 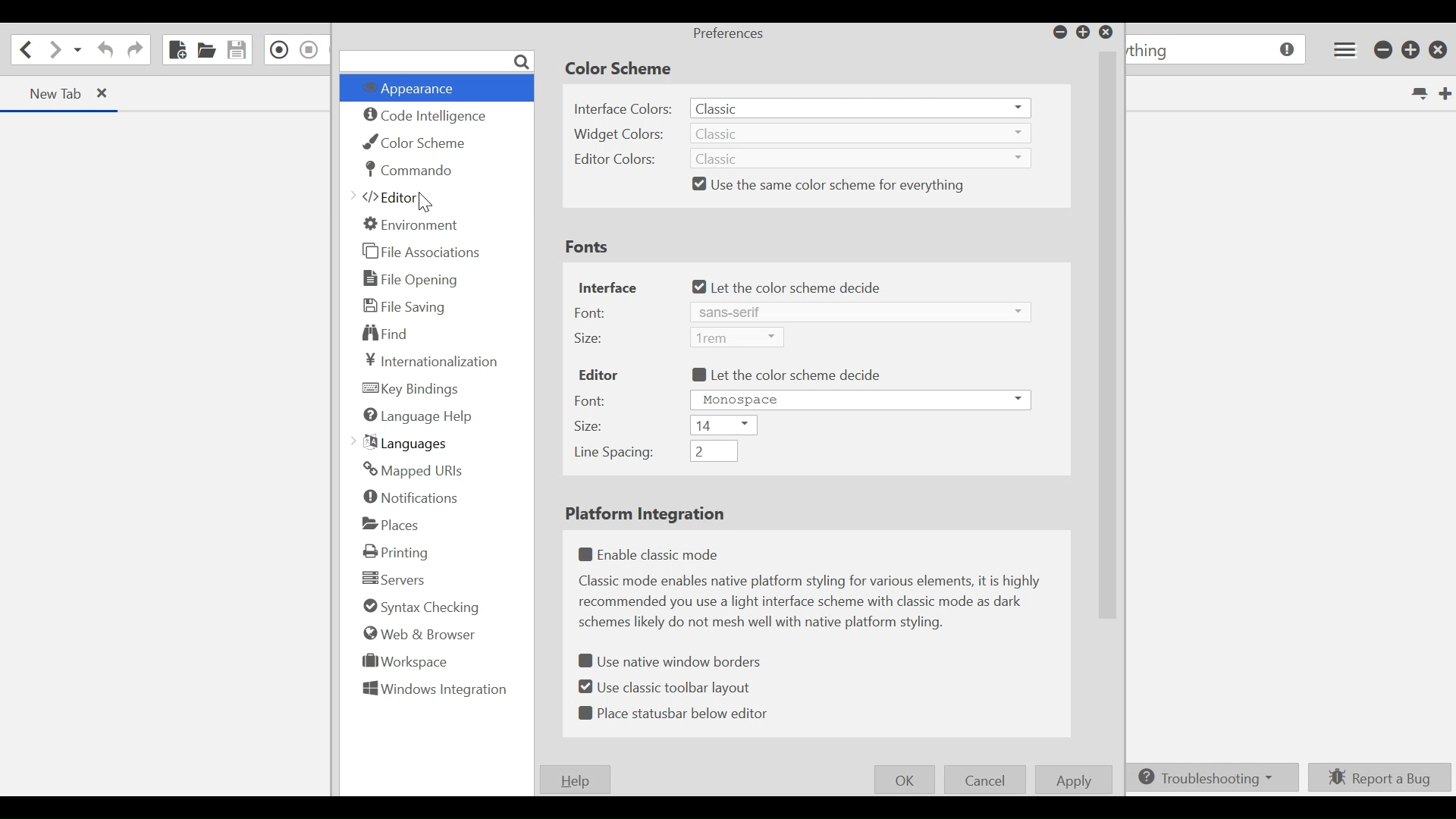 What do you see at coordinates (52, 51) in the screenshot?
I see `Go forward one location` at bounding box center [52, 51].